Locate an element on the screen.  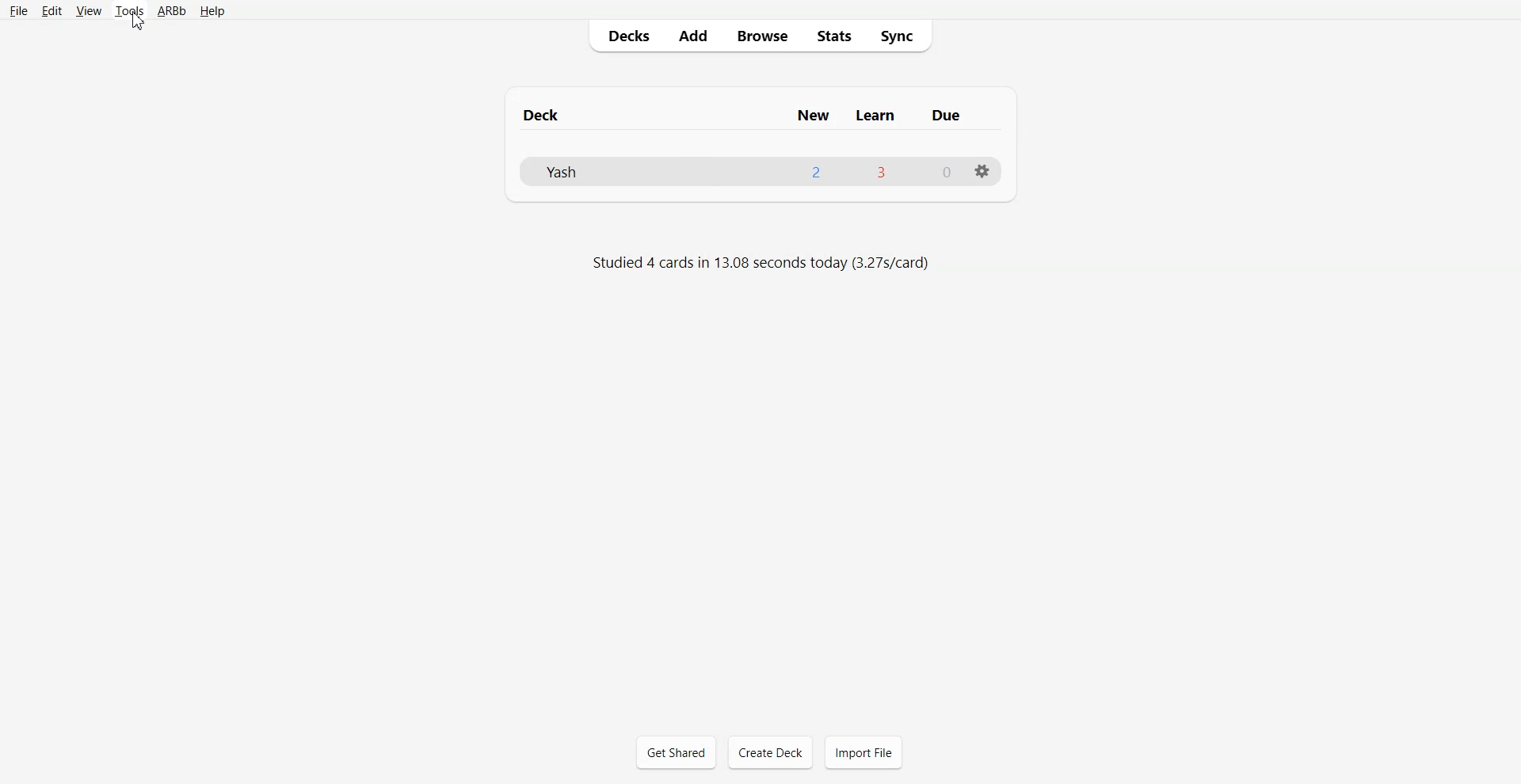
Settings is located at coordinates (982, 171).